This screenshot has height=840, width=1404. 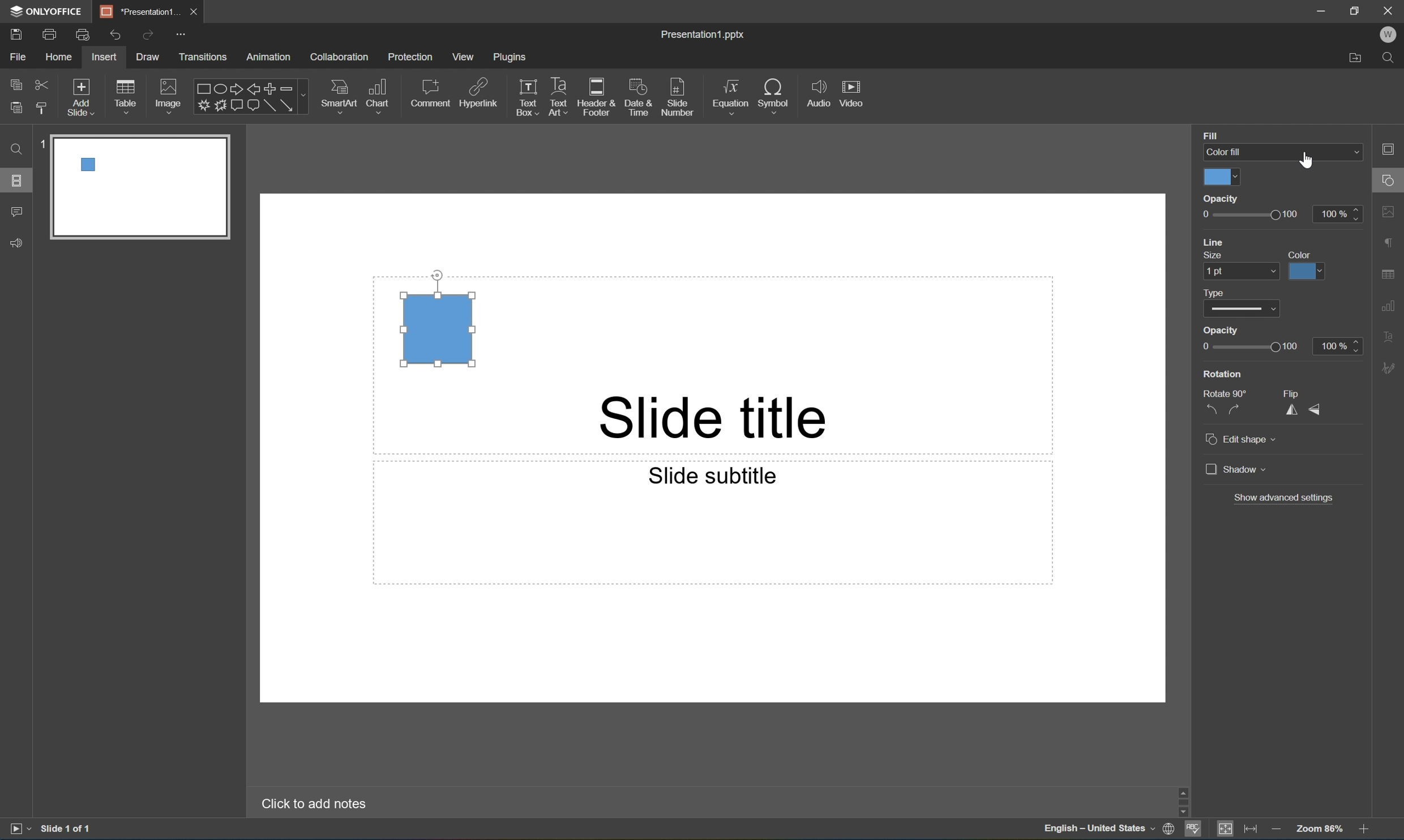 I want to click on , so click(x=220, y=105).